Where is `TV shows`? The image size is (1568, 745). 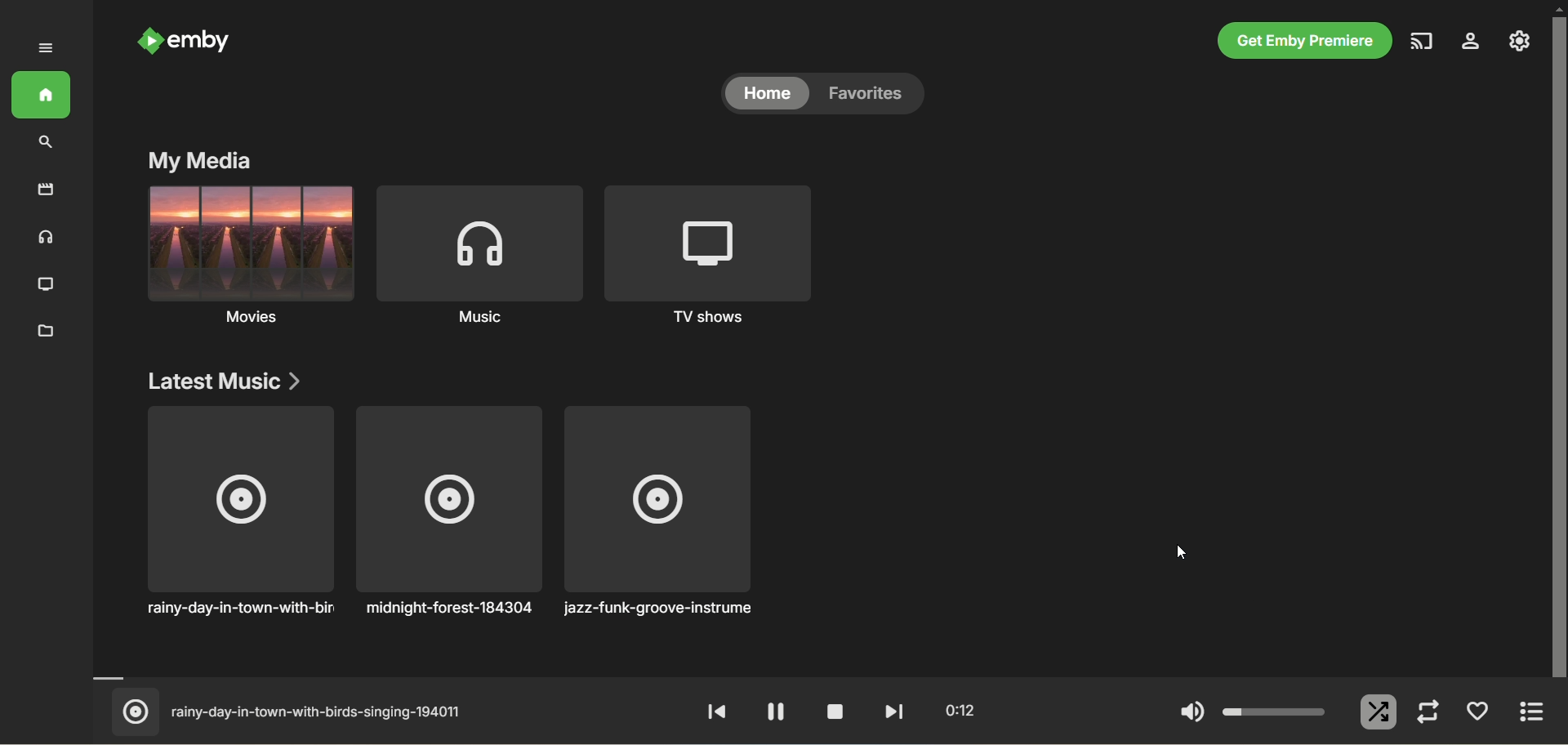
TV shows is located at coordinates (50, 286).